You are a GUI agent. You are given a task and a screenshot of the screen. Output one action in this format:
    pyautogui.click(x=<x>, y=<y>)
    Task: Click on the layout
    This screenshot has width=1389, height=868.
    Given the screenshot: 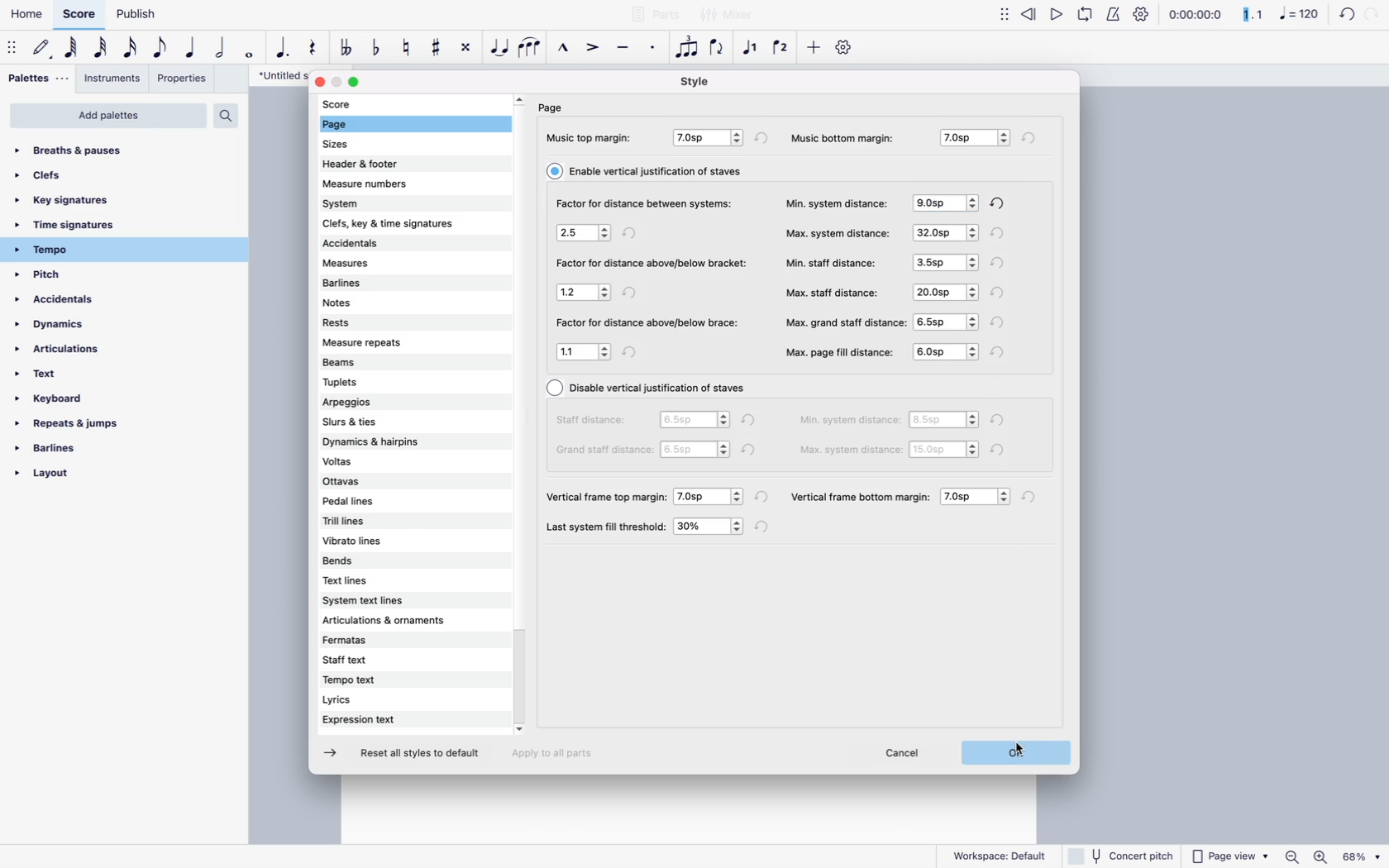 What is the action you would take?
    pyautogui.click(x=79, y=478)
    